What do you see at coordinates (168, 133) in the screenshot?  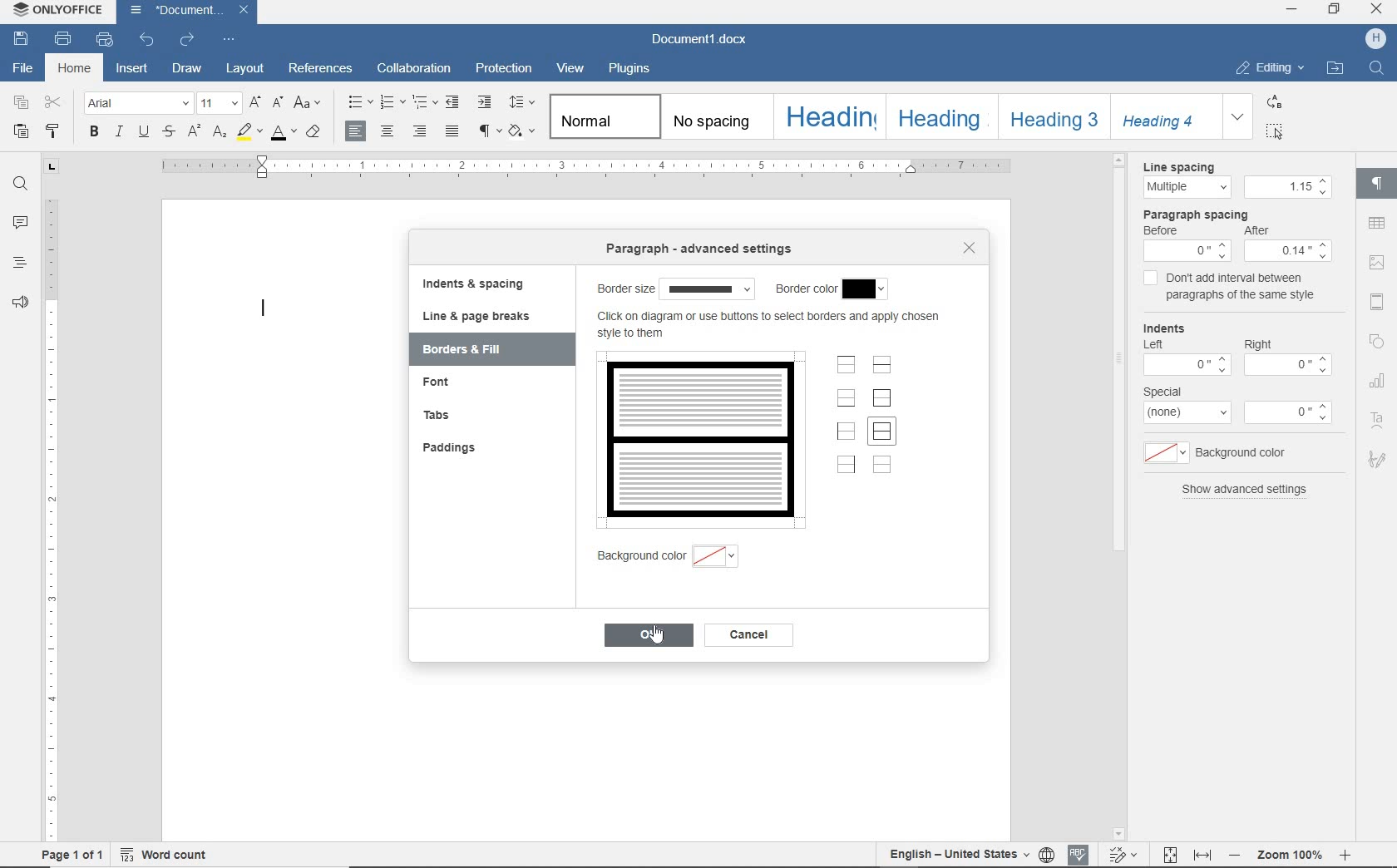 I see `strikethrough` at bounding box center [168, 133].